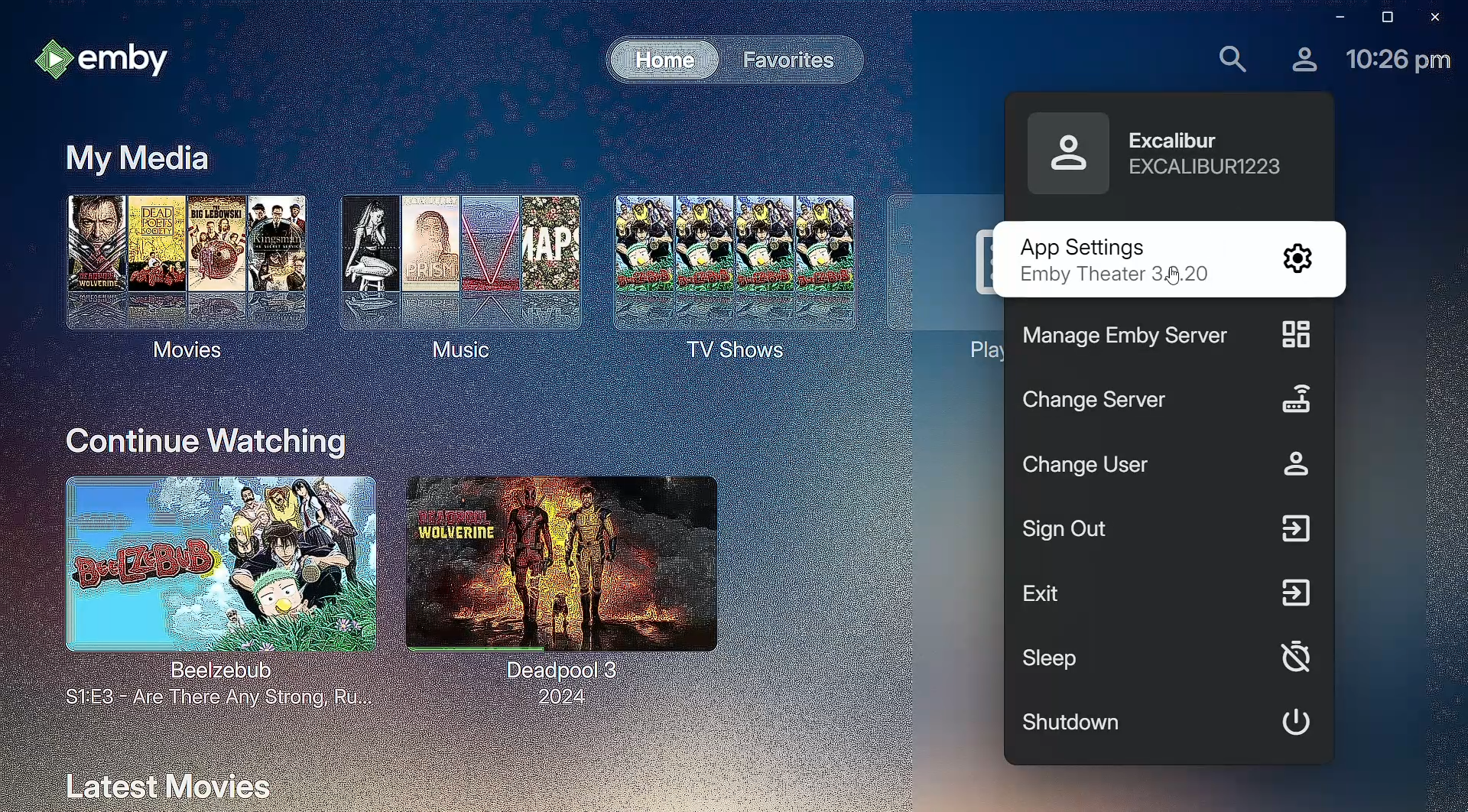 This screenshot has height=812, width=1468. What do you see at coordinates (1230, 60) in the screenshot?
I see `Search` at bounding box center [1230, 60].